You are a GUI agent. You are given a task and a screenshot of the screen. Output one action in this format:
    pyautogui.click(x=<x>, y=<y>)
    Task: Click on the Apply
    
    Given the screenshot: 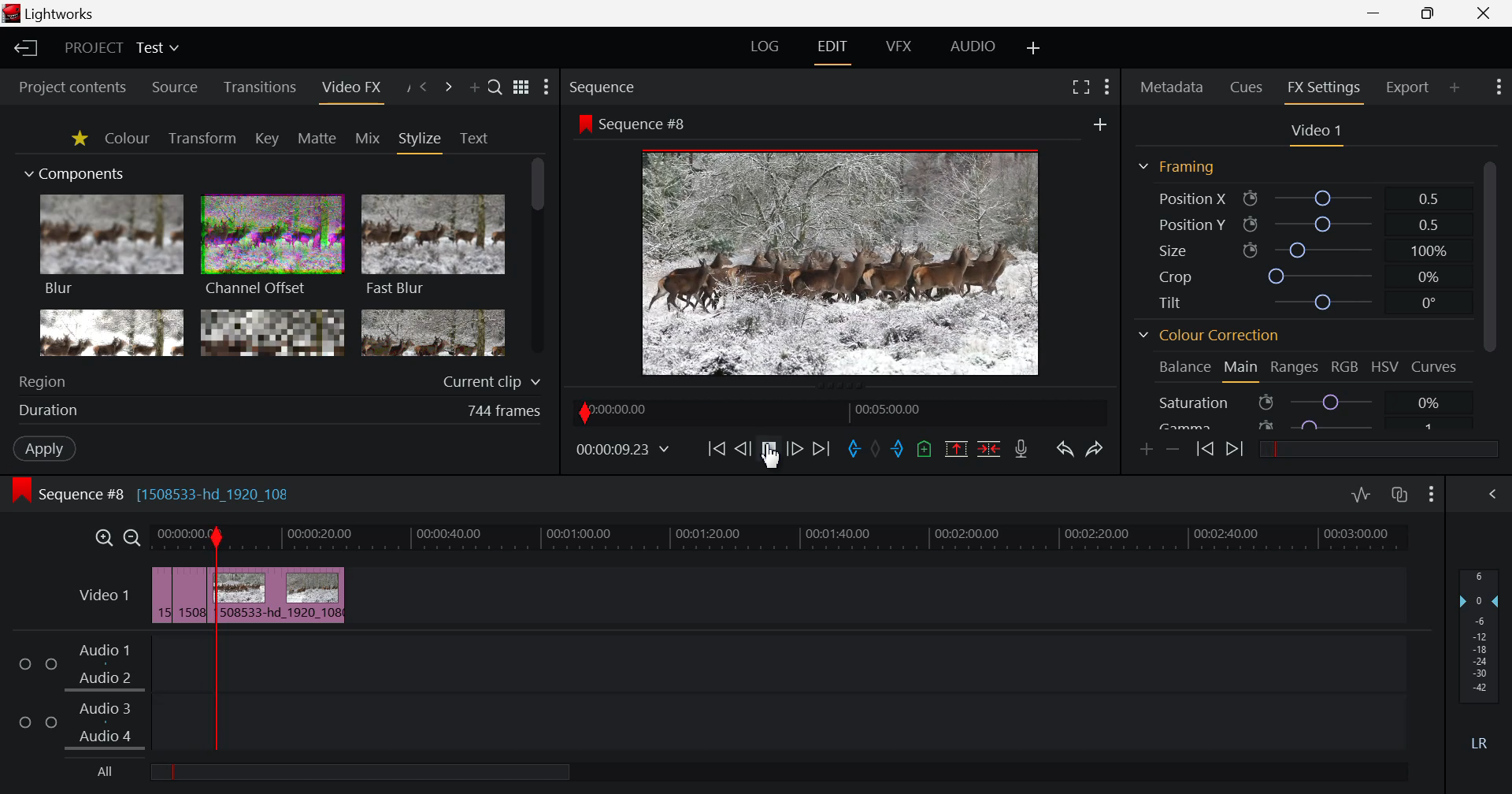 What is the action you would take?
    pyautogui.click(x=44, y=448)
    